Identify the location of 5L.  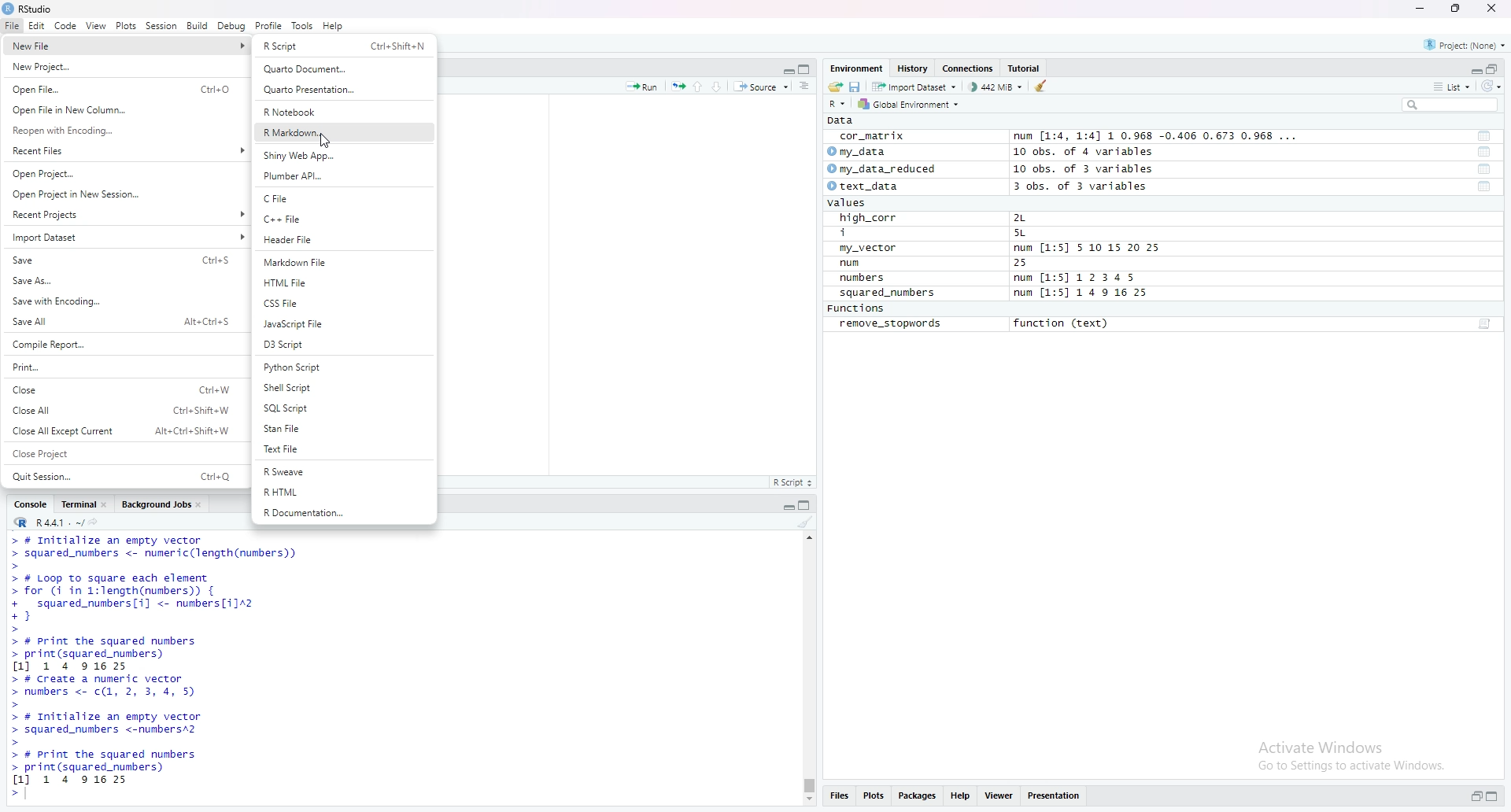
(1036, 232).